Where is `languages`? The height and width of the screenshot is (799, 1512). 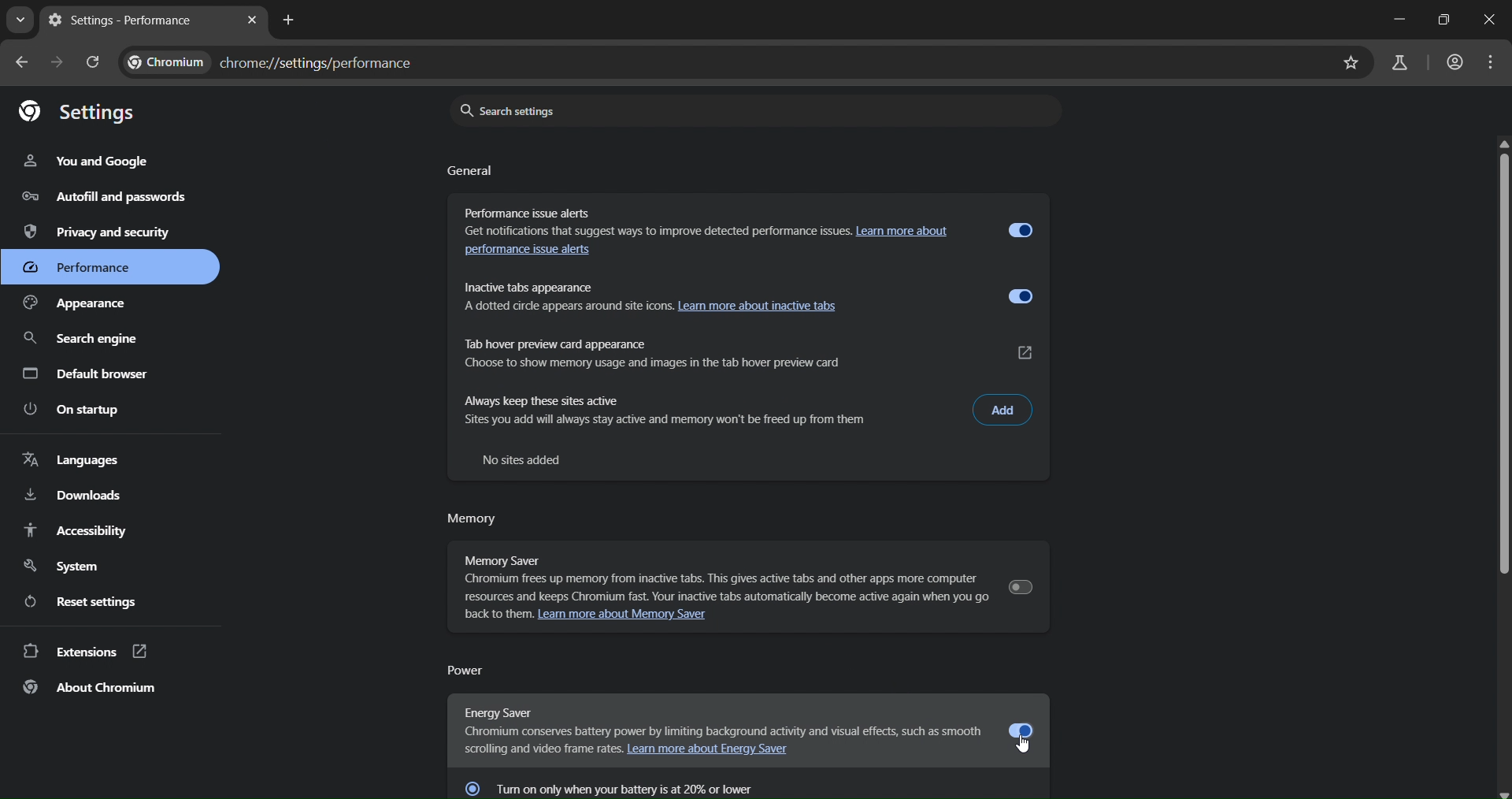
languages is located at coordinates (70, 460).